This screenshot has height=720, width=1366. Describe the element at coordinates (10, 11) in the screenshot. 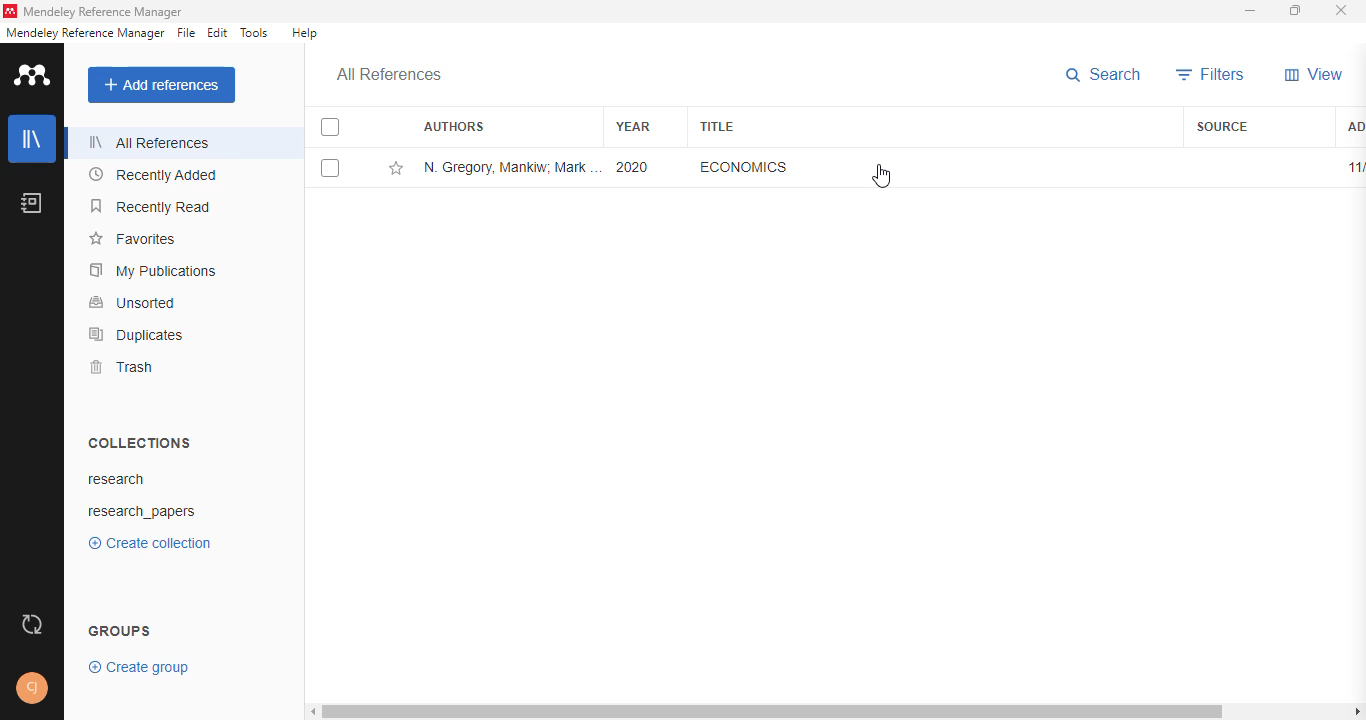

I see `logo` at that location.